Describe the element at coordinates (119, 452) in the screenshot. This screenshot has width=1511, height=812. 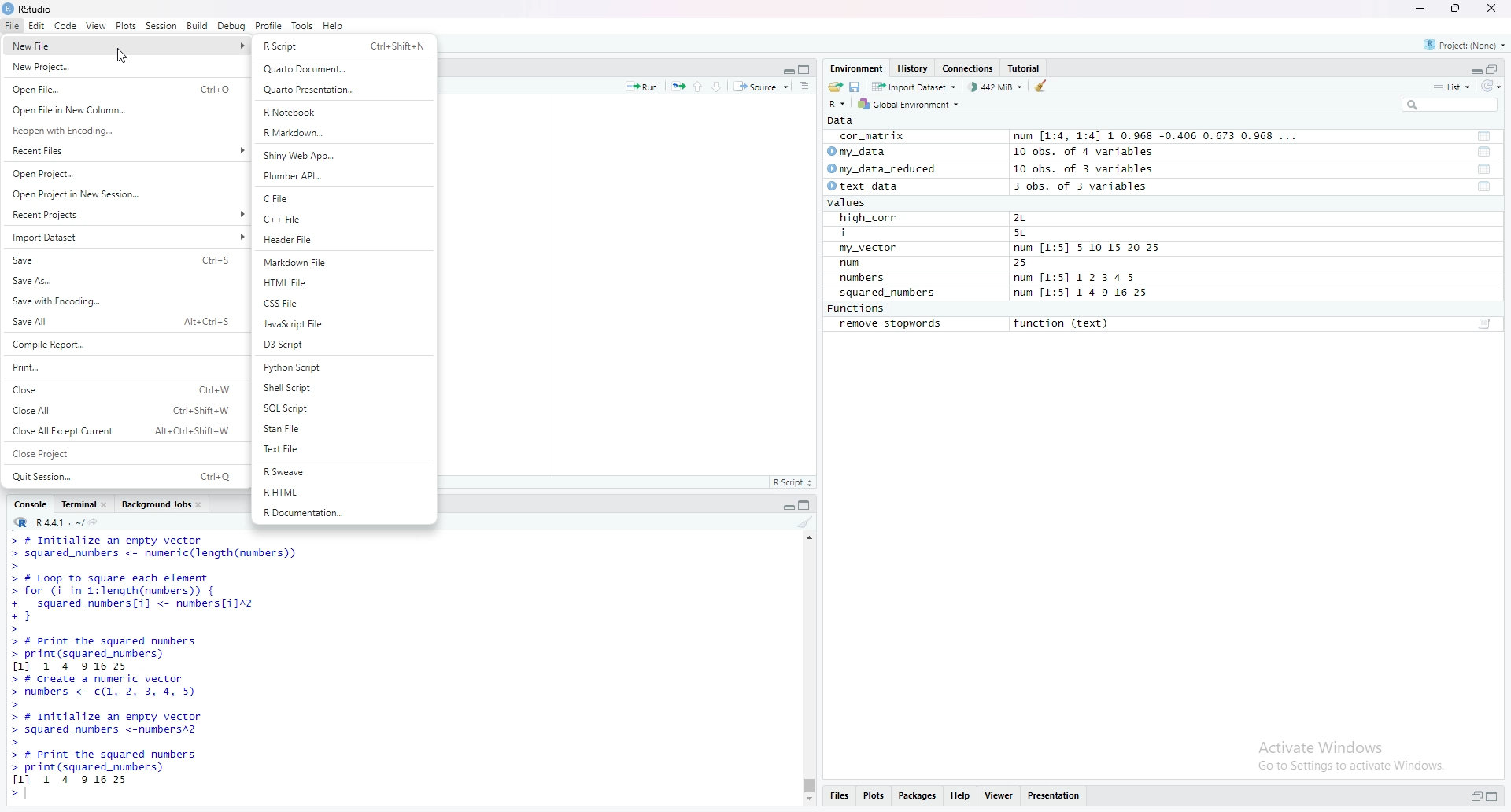
I see `Close Project` at that location.